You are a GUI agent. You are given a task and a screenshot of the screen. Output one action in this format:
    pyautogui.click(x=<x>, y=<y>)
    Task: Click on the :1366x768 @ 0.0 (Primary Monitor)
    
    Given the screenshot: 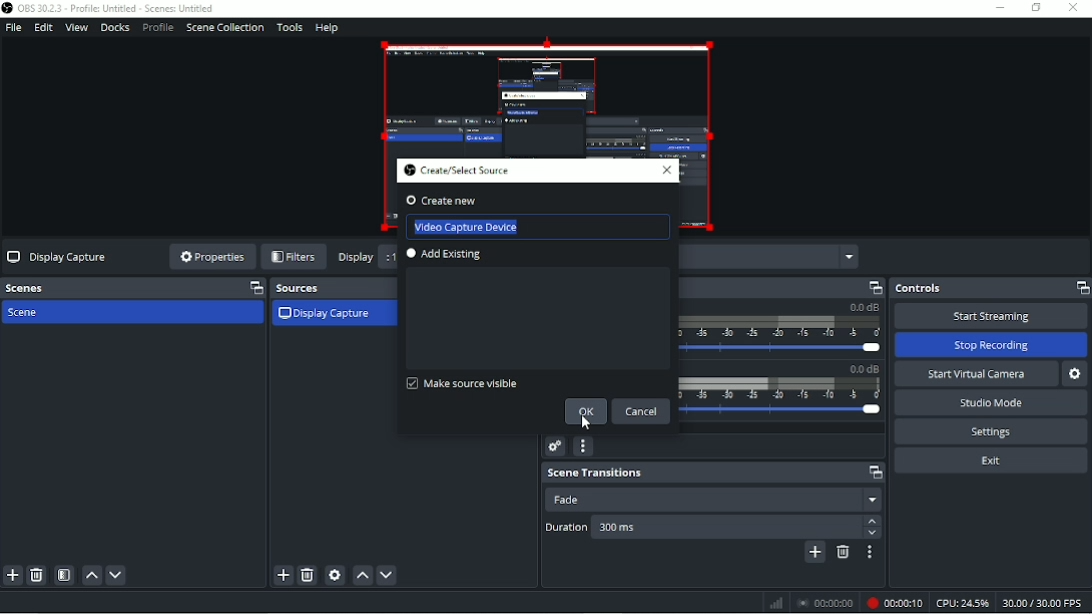 What is the action you would take?
    pyautogui.click(x=772, y=257)
    